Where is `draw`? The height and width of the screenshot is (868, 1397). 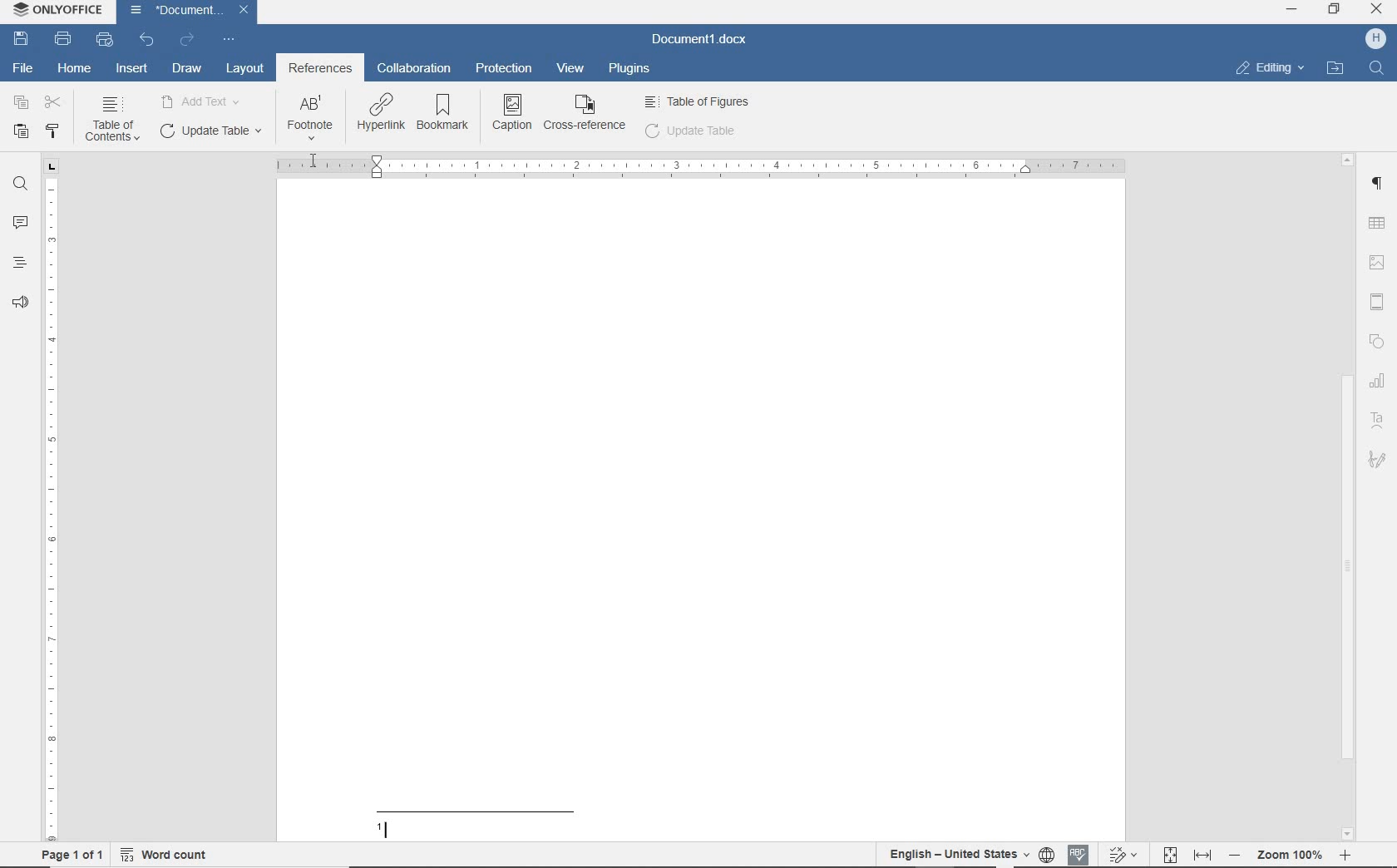 draw is located at coordinates (187, 68).